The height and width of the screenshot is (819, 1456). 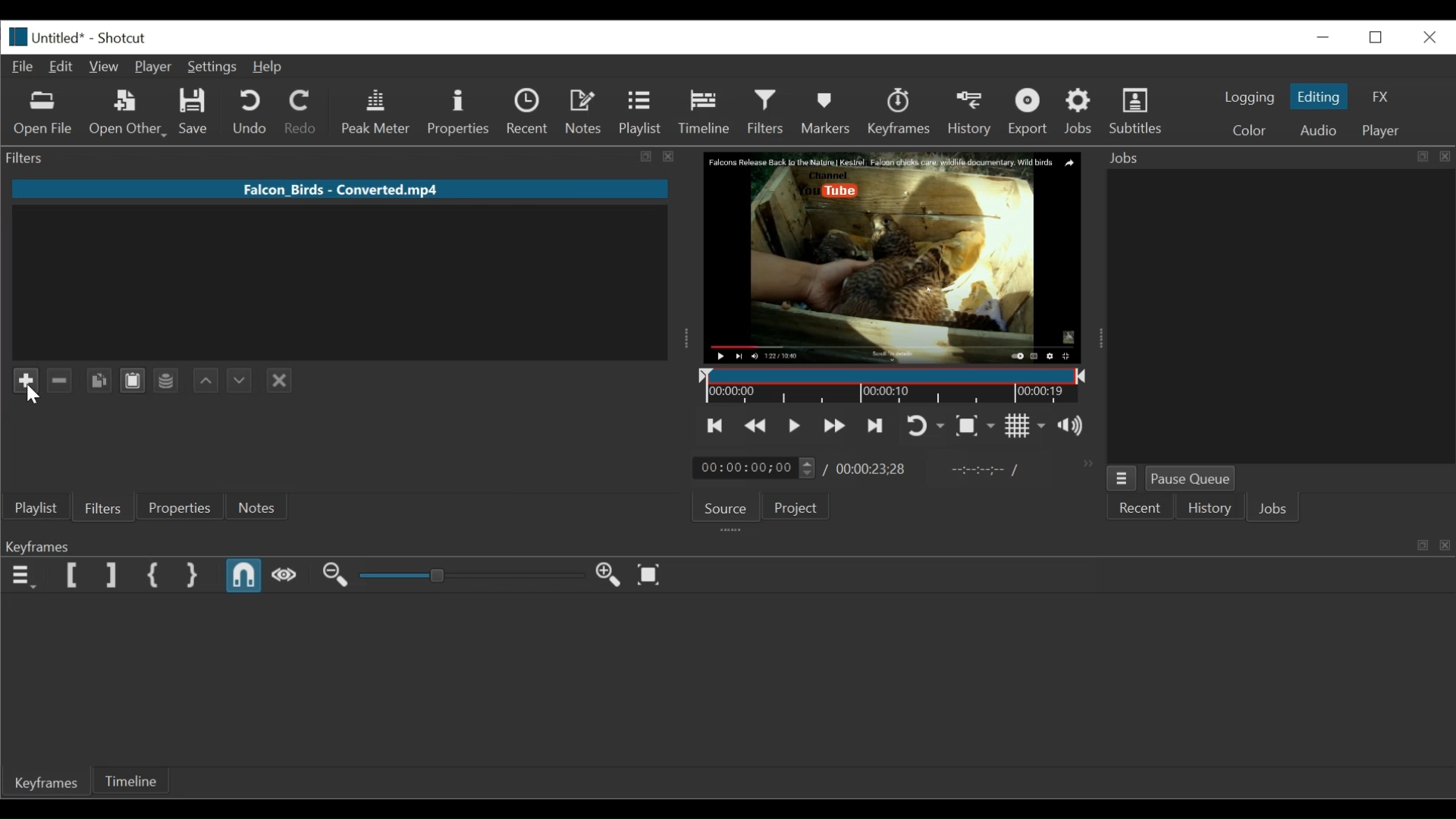 What do you see at coordinates (1380, 97) in the screenshot?
I see `FX` at bounding box center [1380, 97].